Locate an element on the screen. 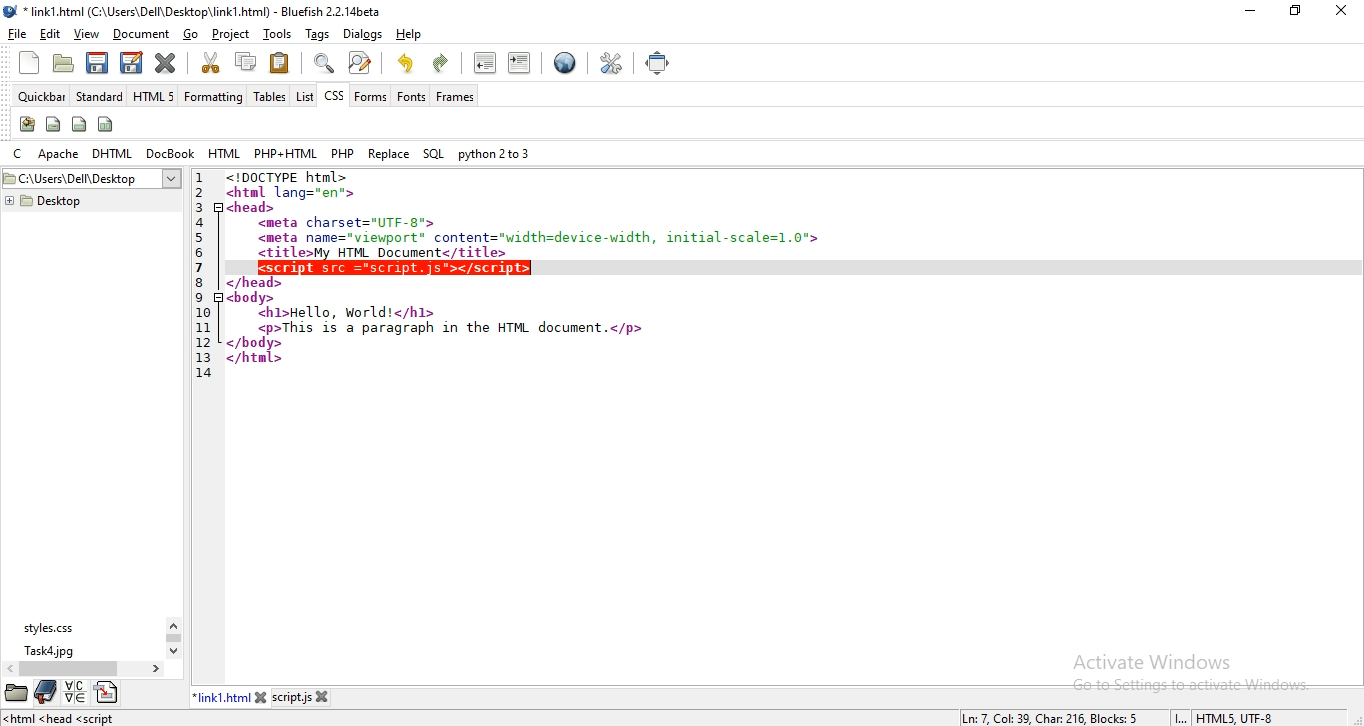 The width and height of the screenshot is (1364, 726). 5 is located at coordinates (199, 238).